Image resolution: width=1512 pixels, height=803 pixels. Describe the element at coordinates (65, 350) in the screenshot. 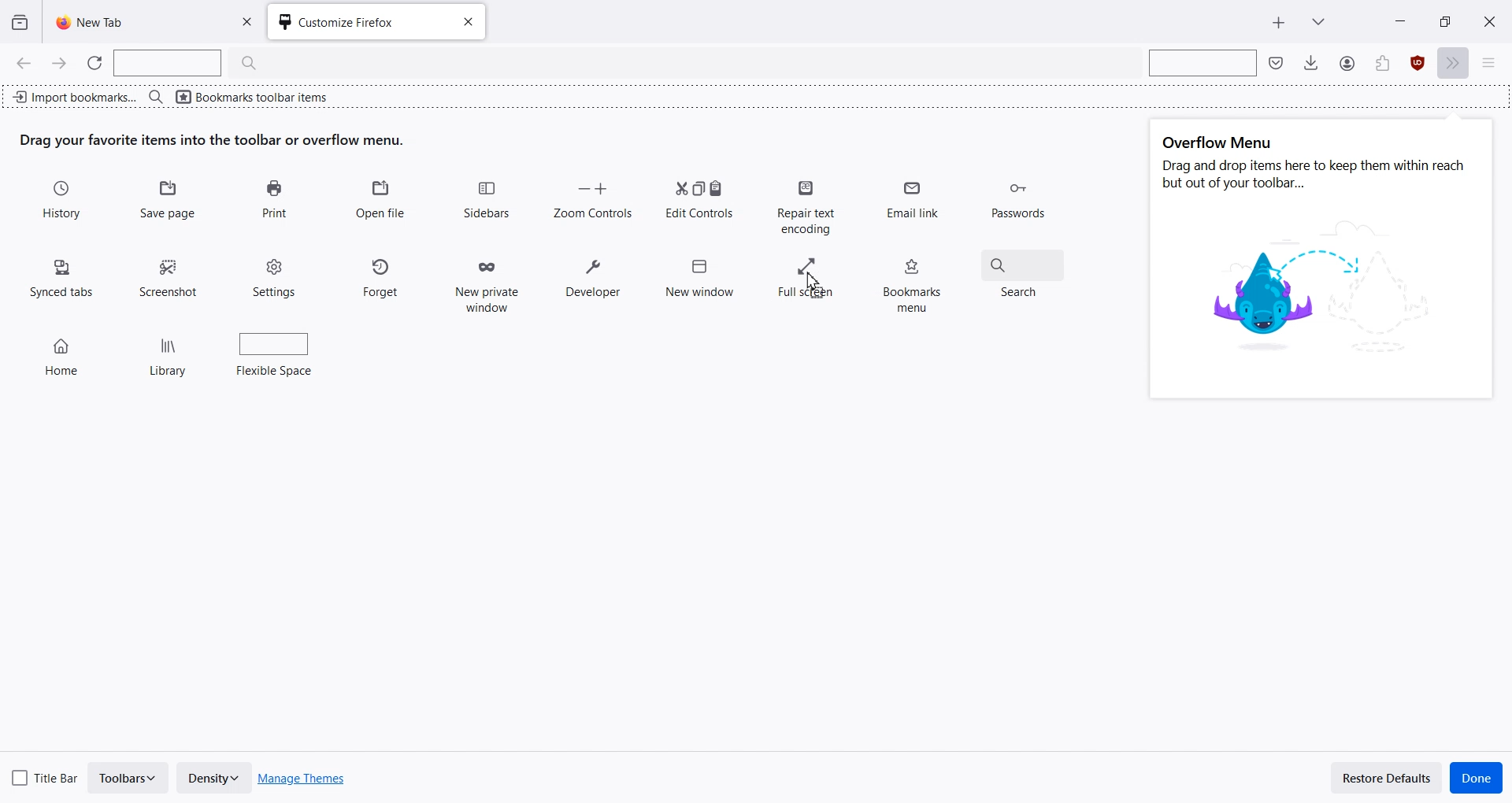

I see `Home` at that location.